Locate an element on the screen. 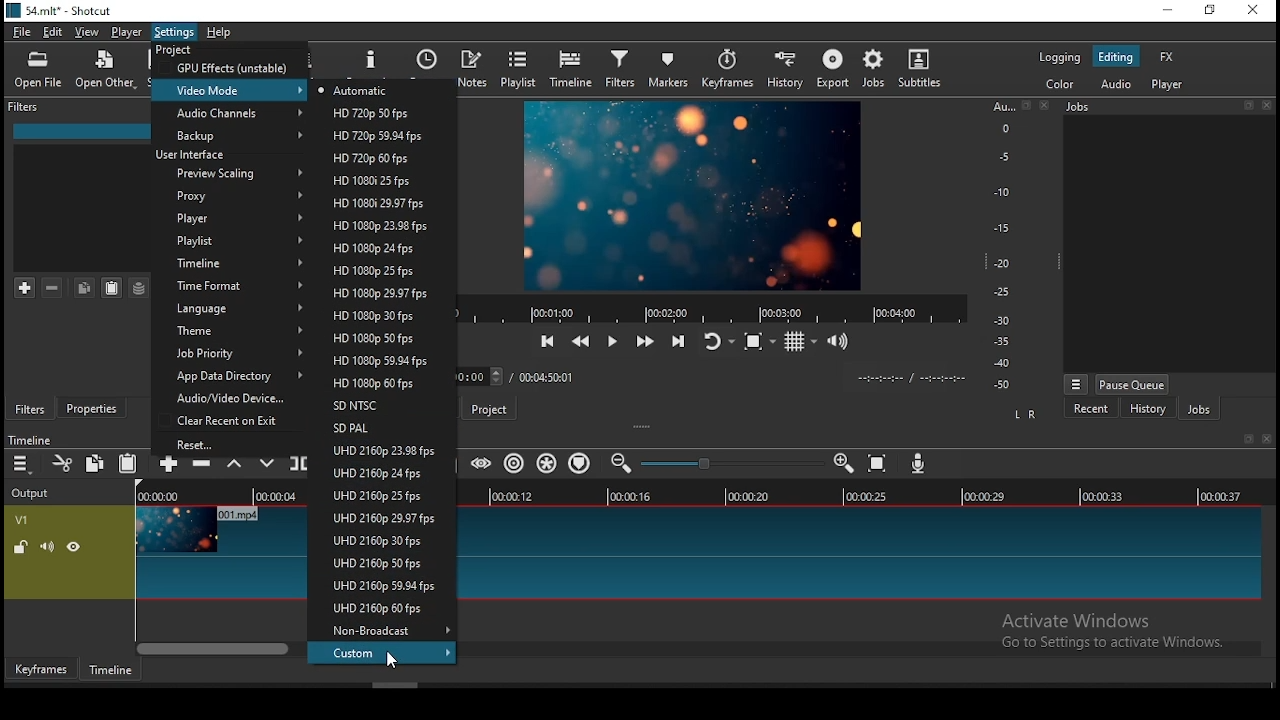 The image size is (1280, 720). jobs is located at coordinates (1199, 410).